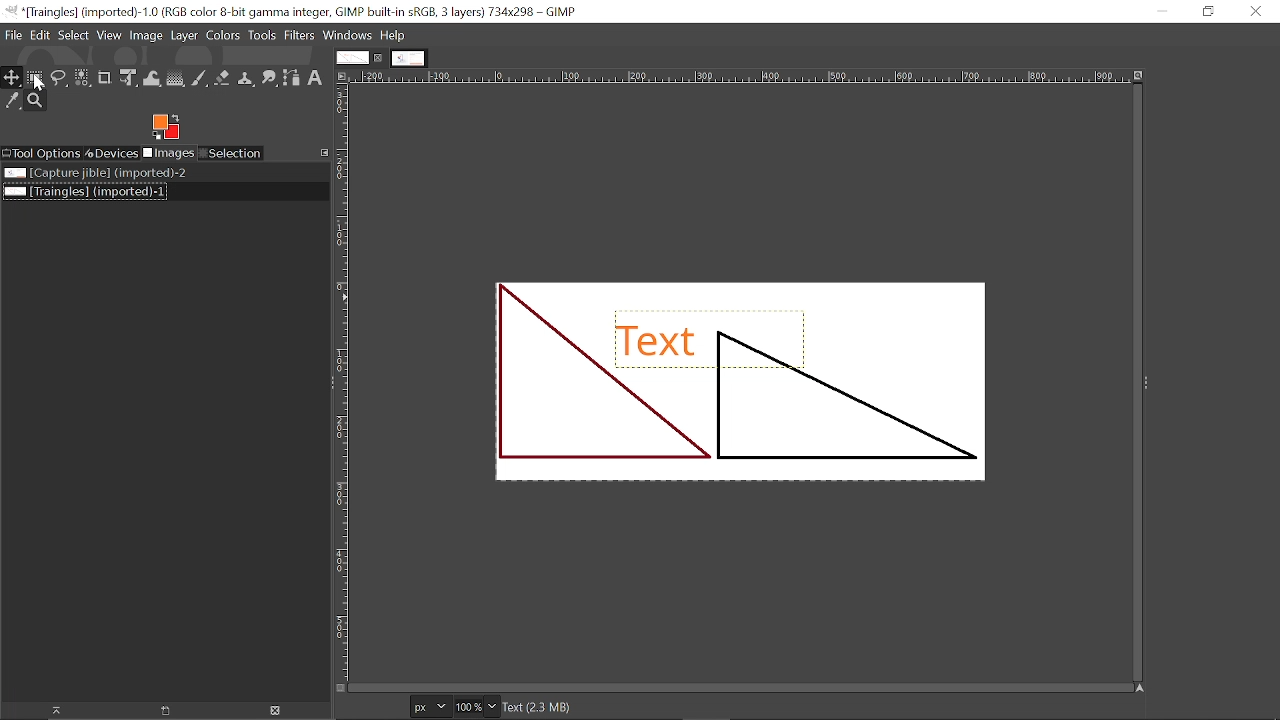  I want to click on Clone tool, so click(247, 79).